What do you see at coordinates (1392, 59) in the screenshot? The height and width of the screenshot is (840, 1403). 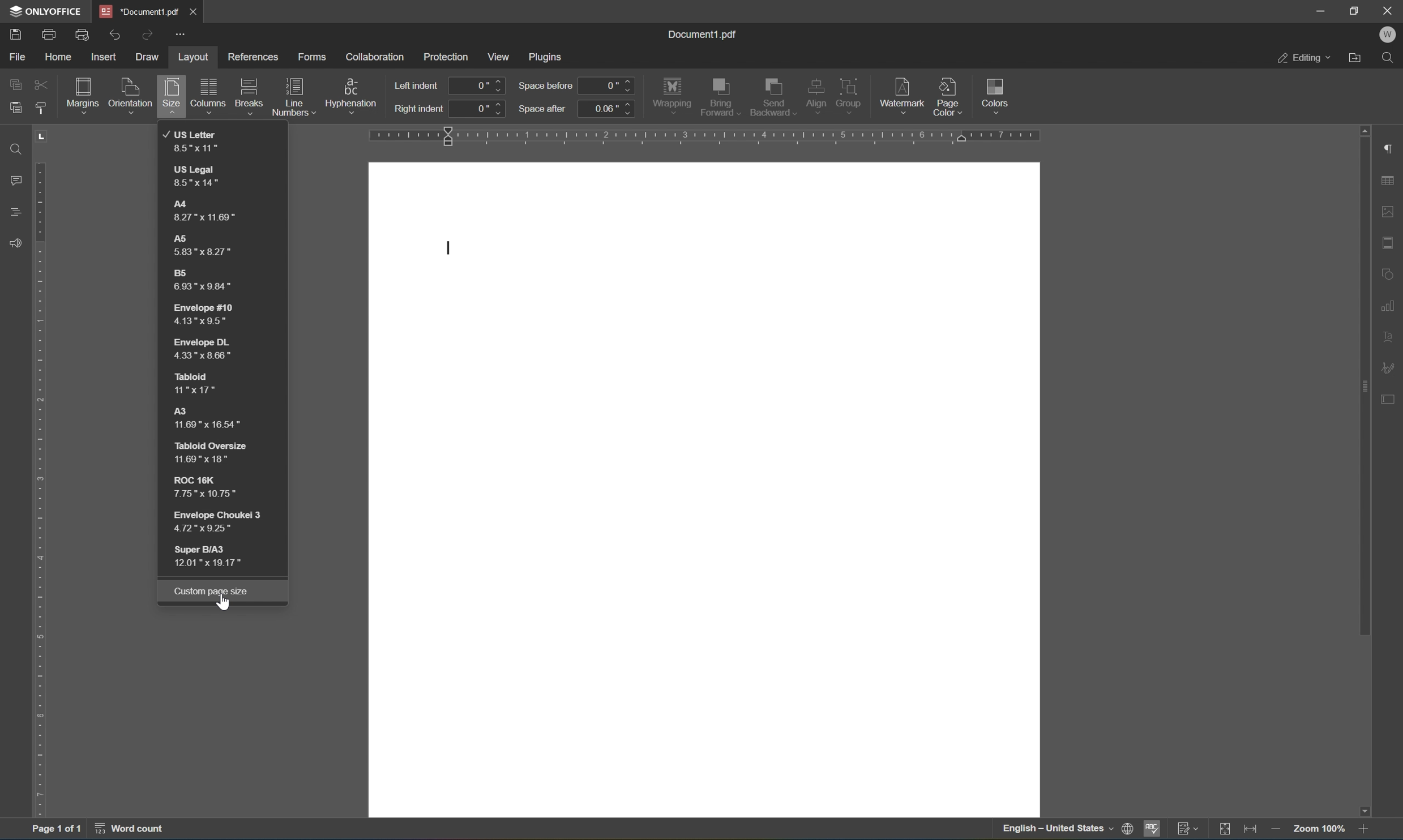 I see `Find` at bounding box center [1392, 59].